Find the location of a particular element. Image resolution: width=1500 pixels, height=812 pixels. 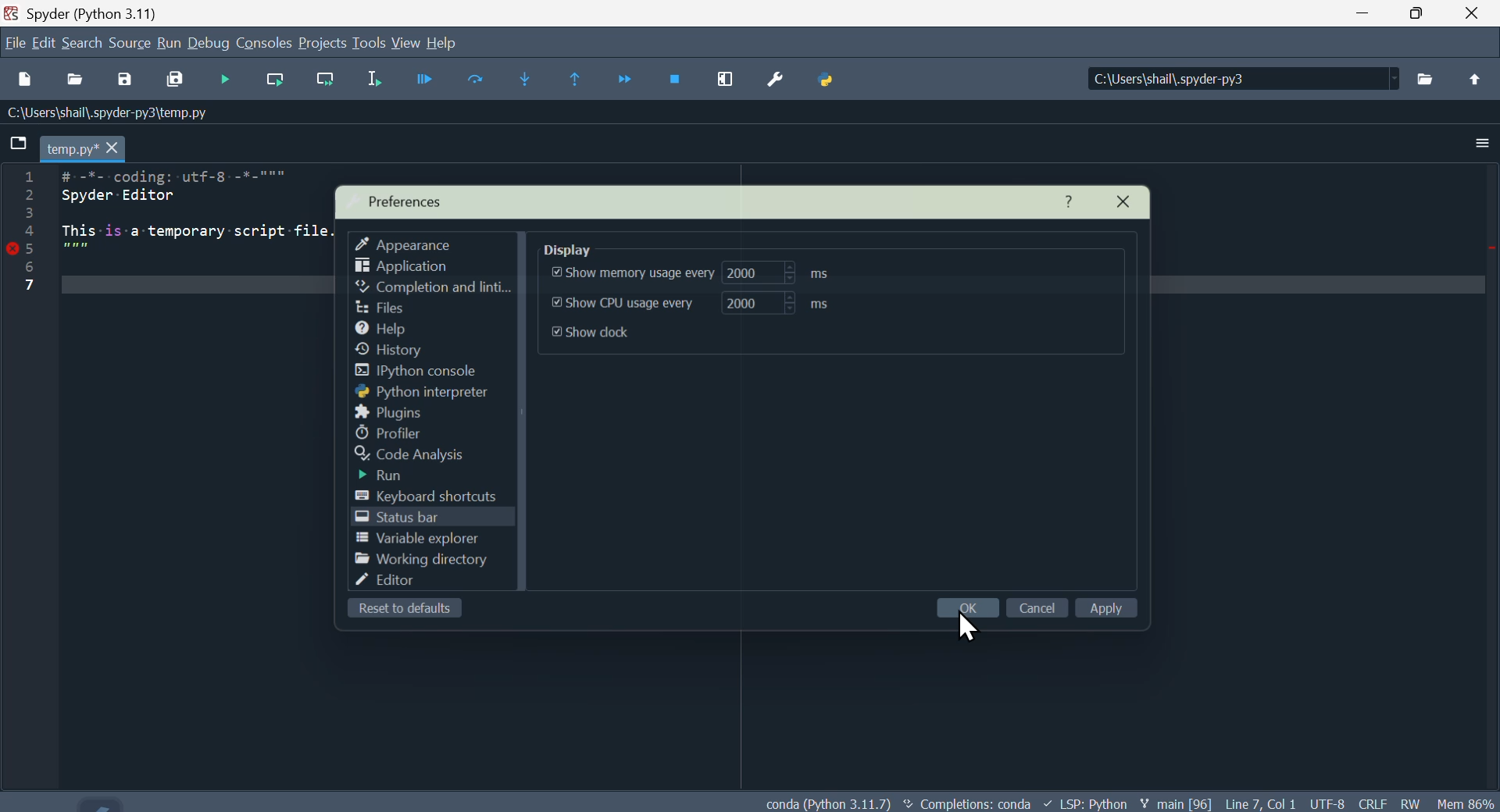

Apply is located at coordinates (1117, 611).